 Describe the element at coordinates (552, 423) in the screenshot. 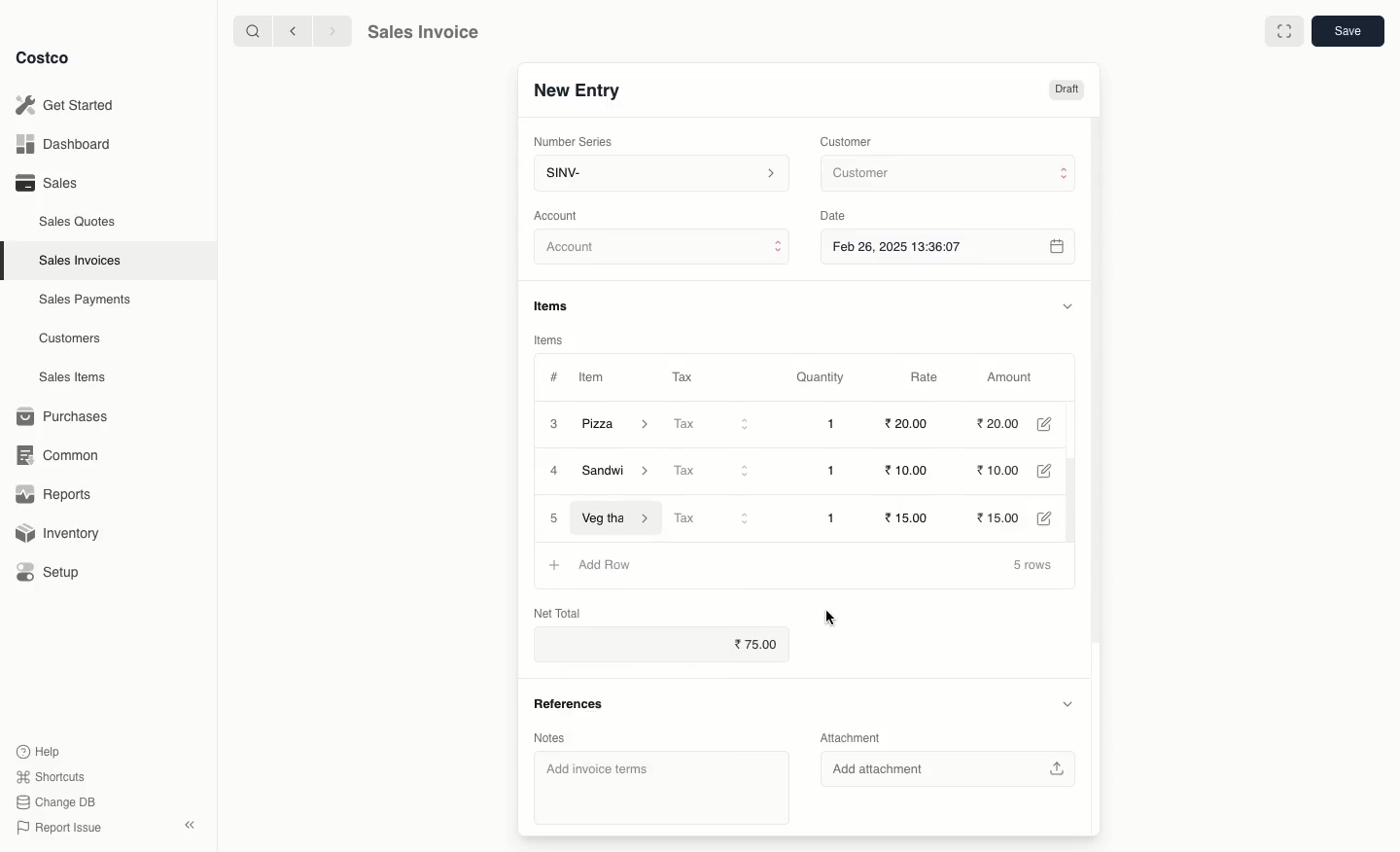

I see `3` at that location.